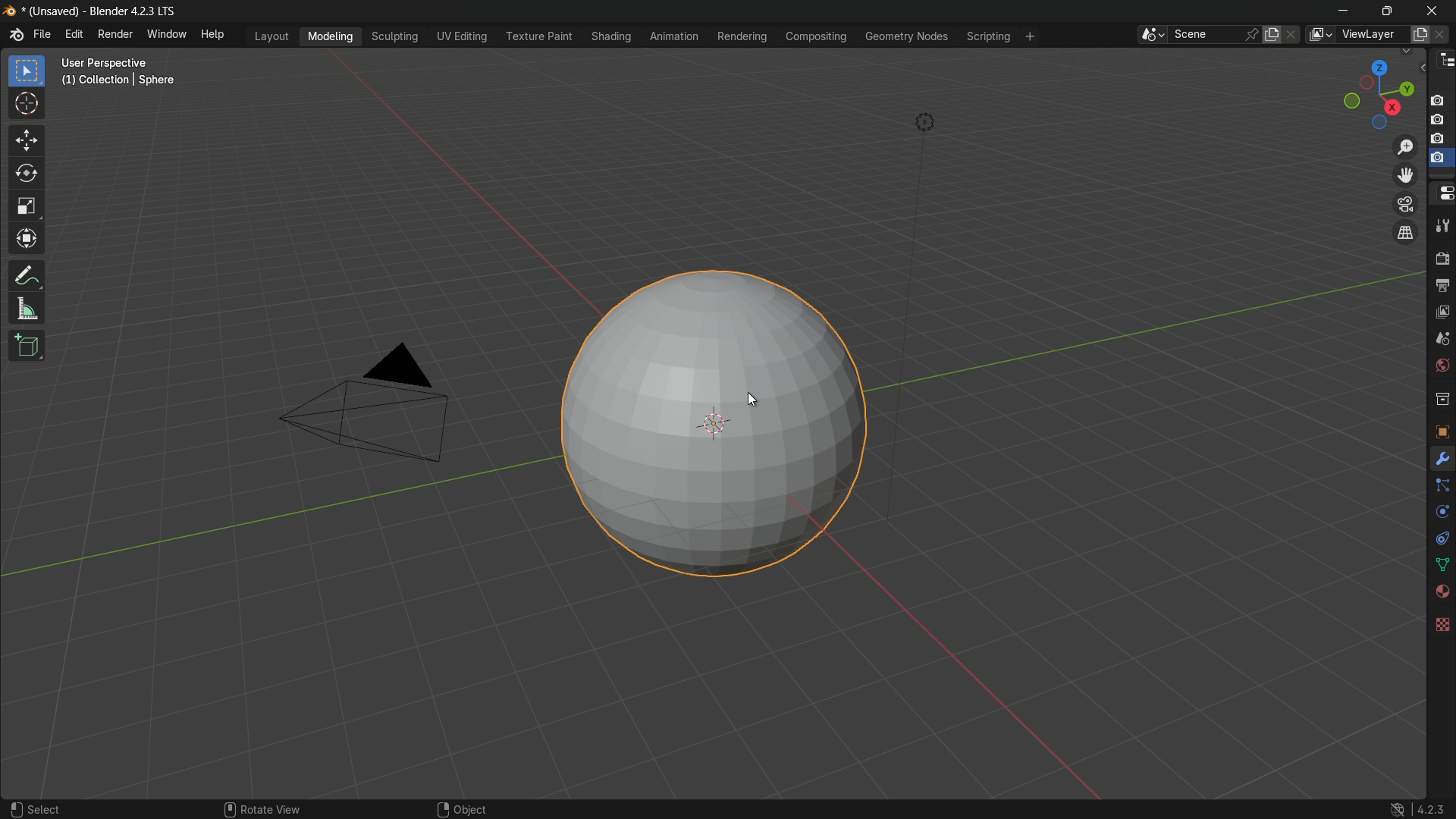 The width and height of the screenshot is (1456, 819). What do you see at coordinates (1442, 400) in the screenshot?
I see `collections` at bounding box center [1442, 400].